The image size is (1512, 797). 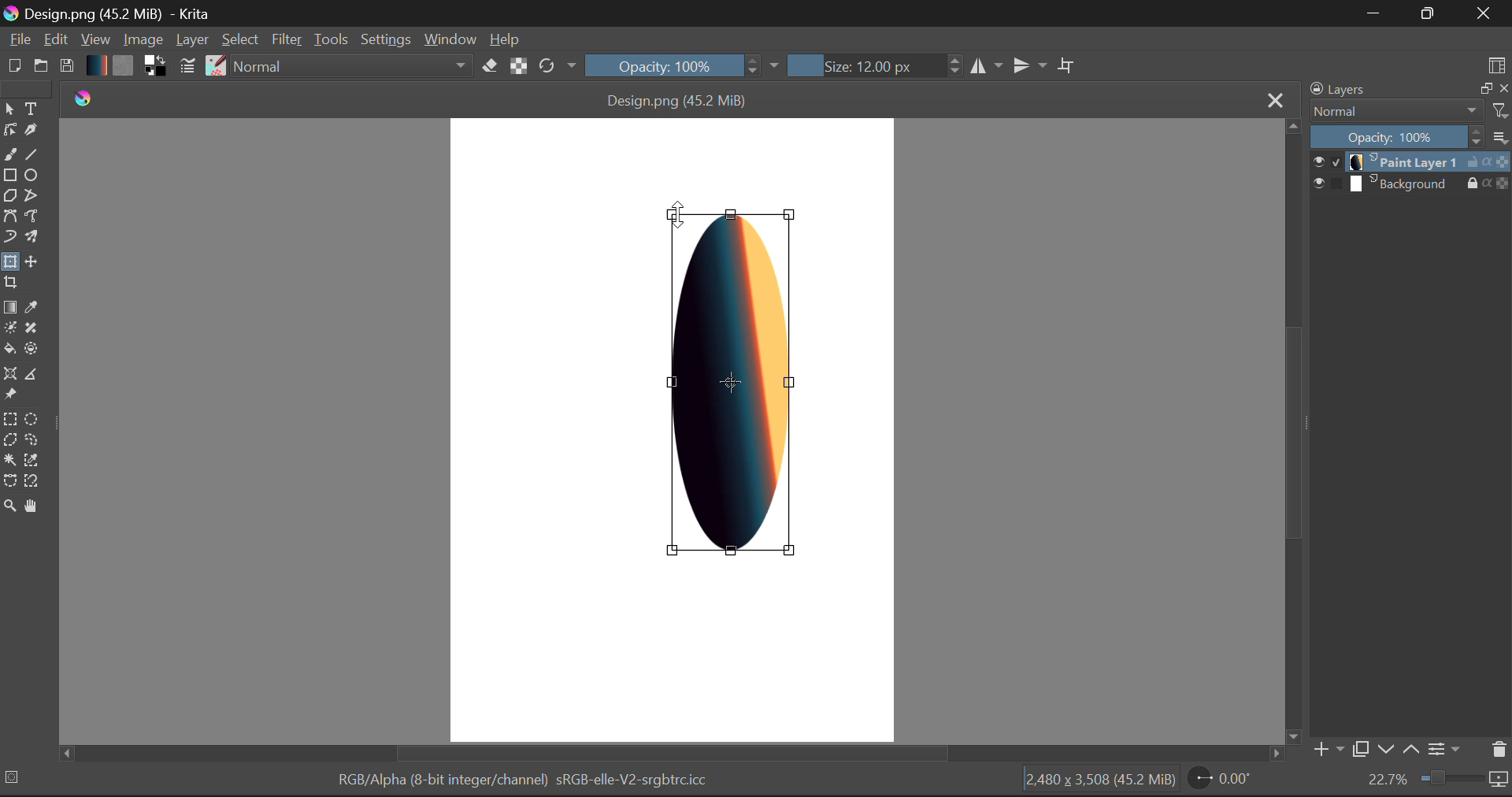 I want to click on Layers Docker Tab, so click(x=1409, y=89).